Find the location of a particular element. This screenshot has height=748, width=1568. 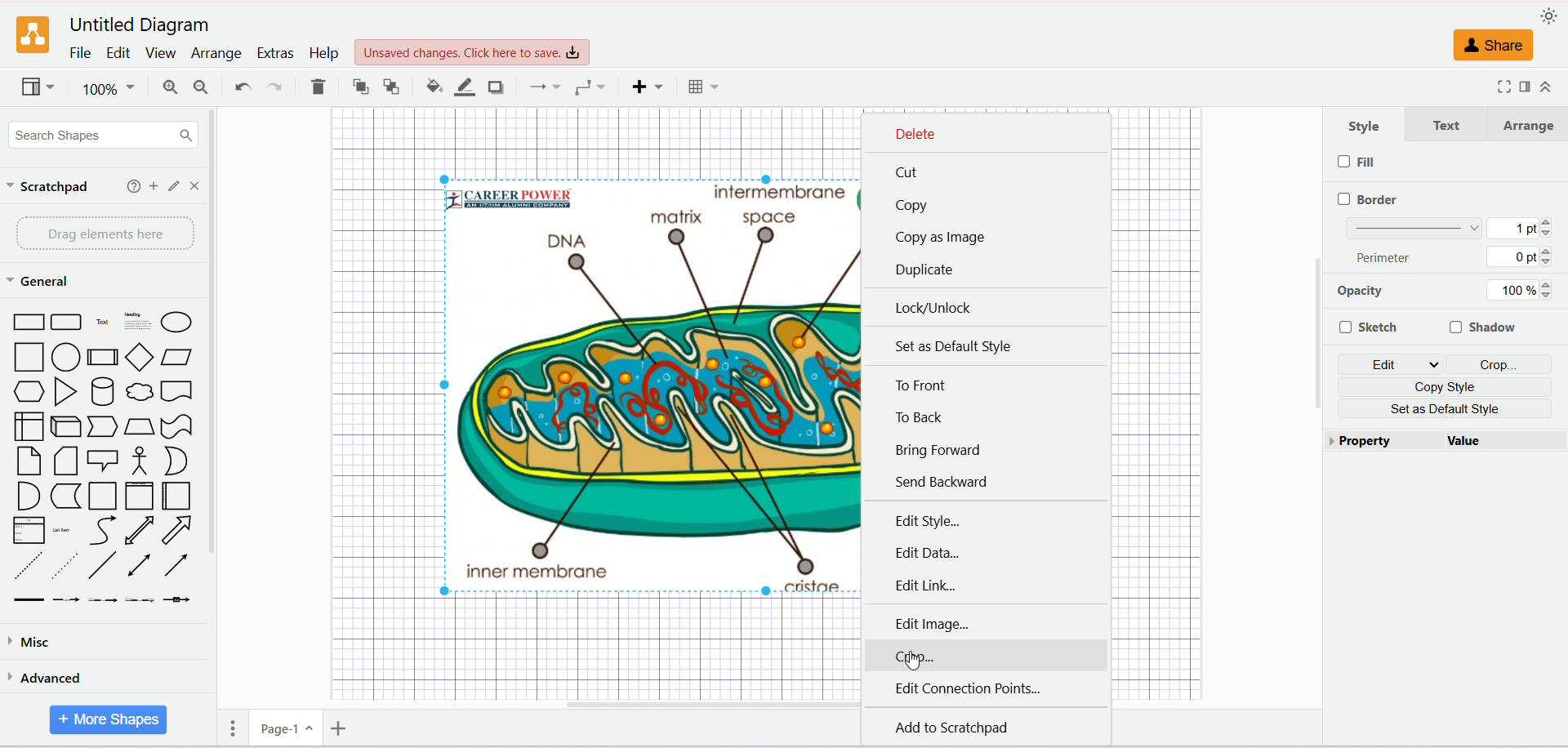

view is located at coordinates (158, 51).